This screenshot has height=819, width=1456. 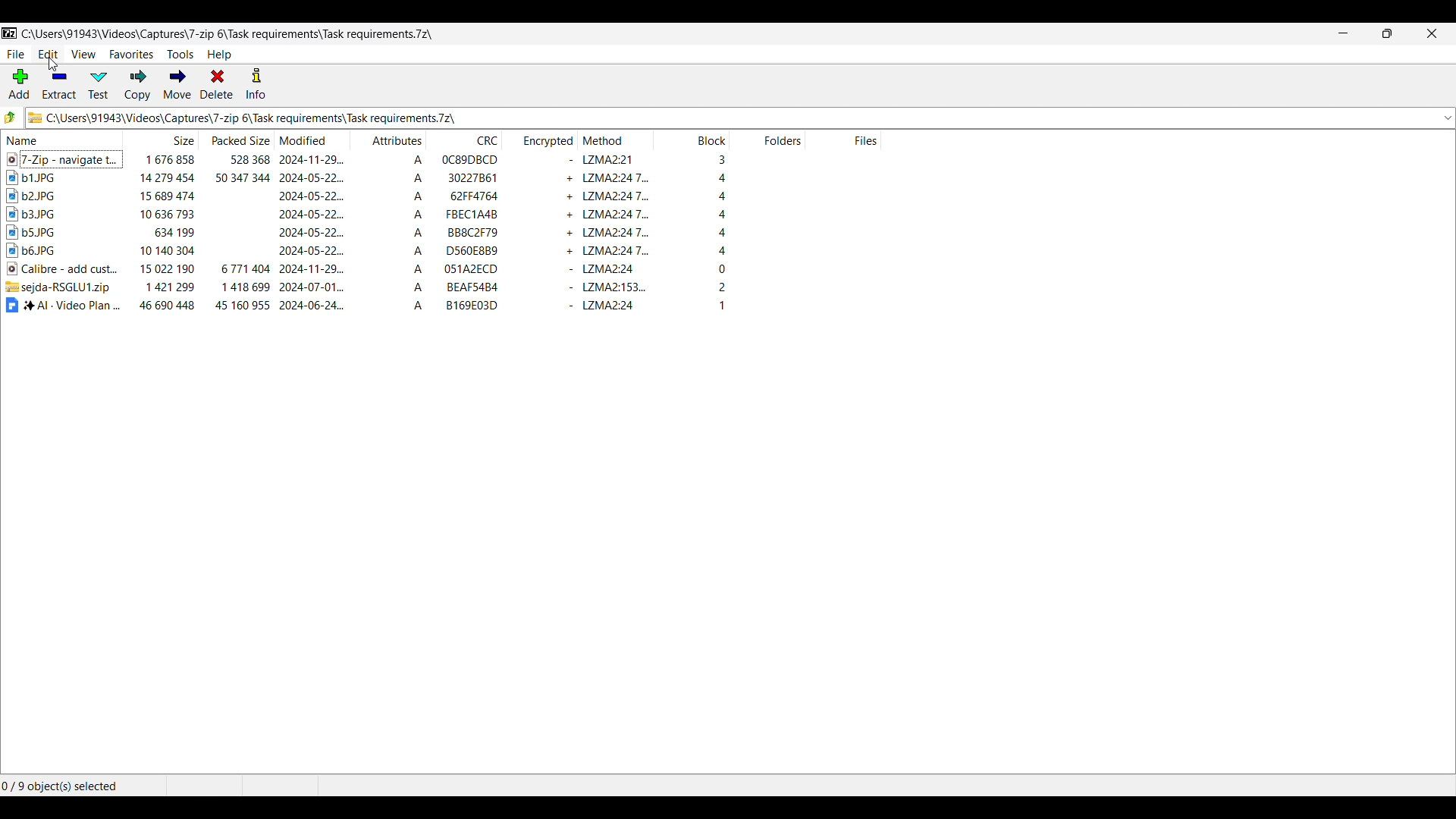 I want to click on Attributes column, so click(x=390, y=140).